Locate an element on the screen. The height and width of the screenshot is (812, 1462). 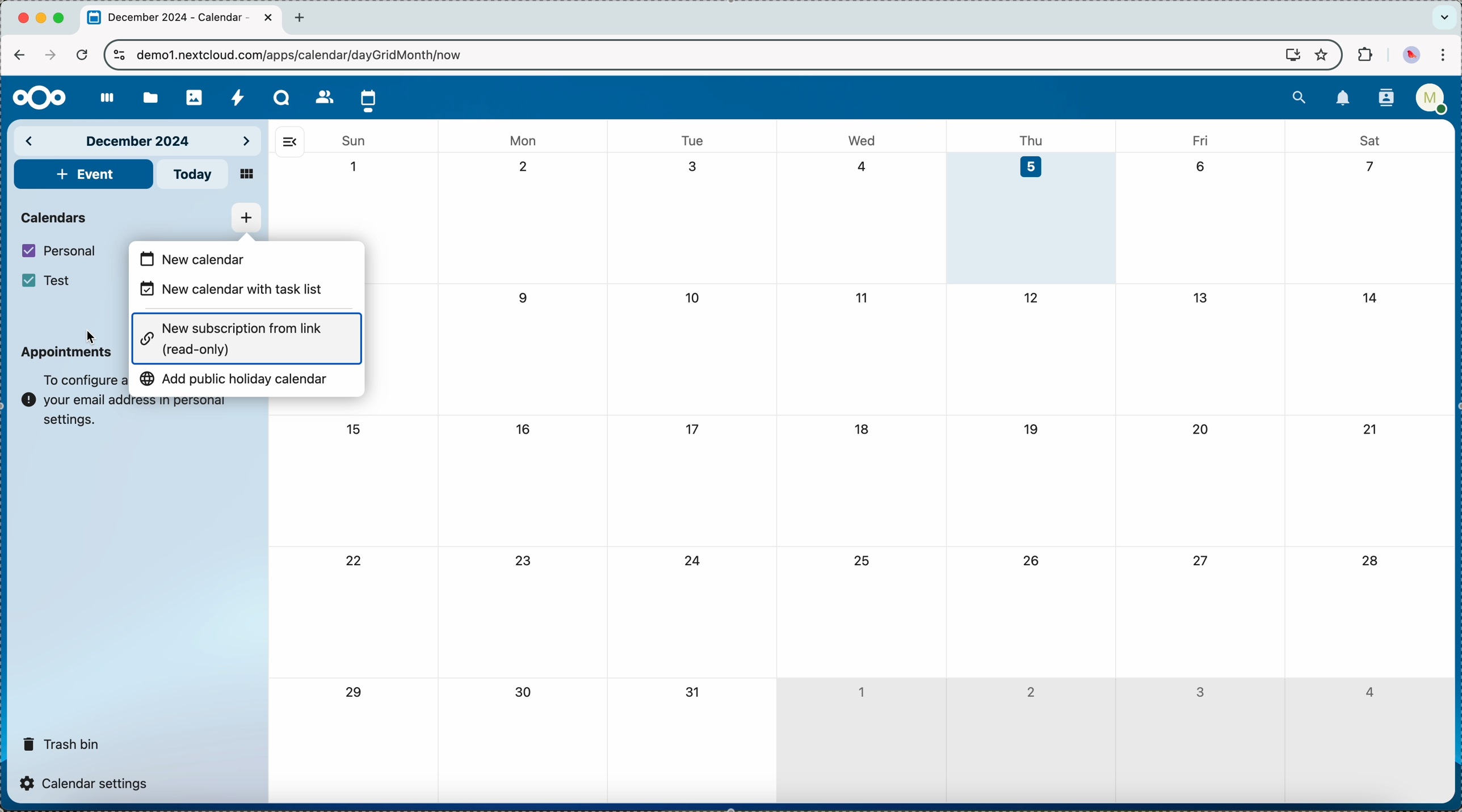
13 is located at coordinates (1200, 297).